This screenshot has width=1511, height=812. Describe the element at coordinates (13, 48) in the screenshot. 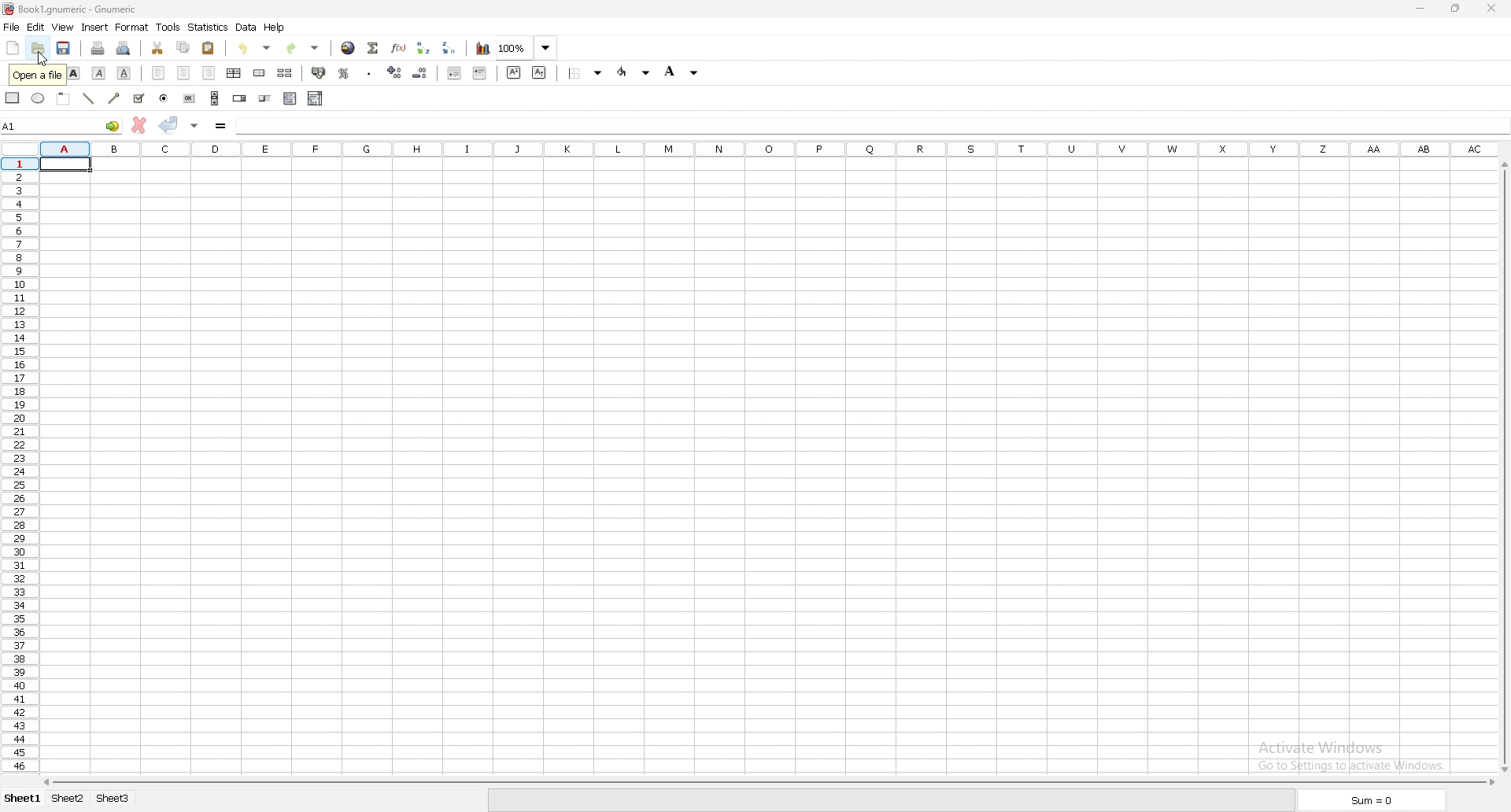

I see `new` at that location.